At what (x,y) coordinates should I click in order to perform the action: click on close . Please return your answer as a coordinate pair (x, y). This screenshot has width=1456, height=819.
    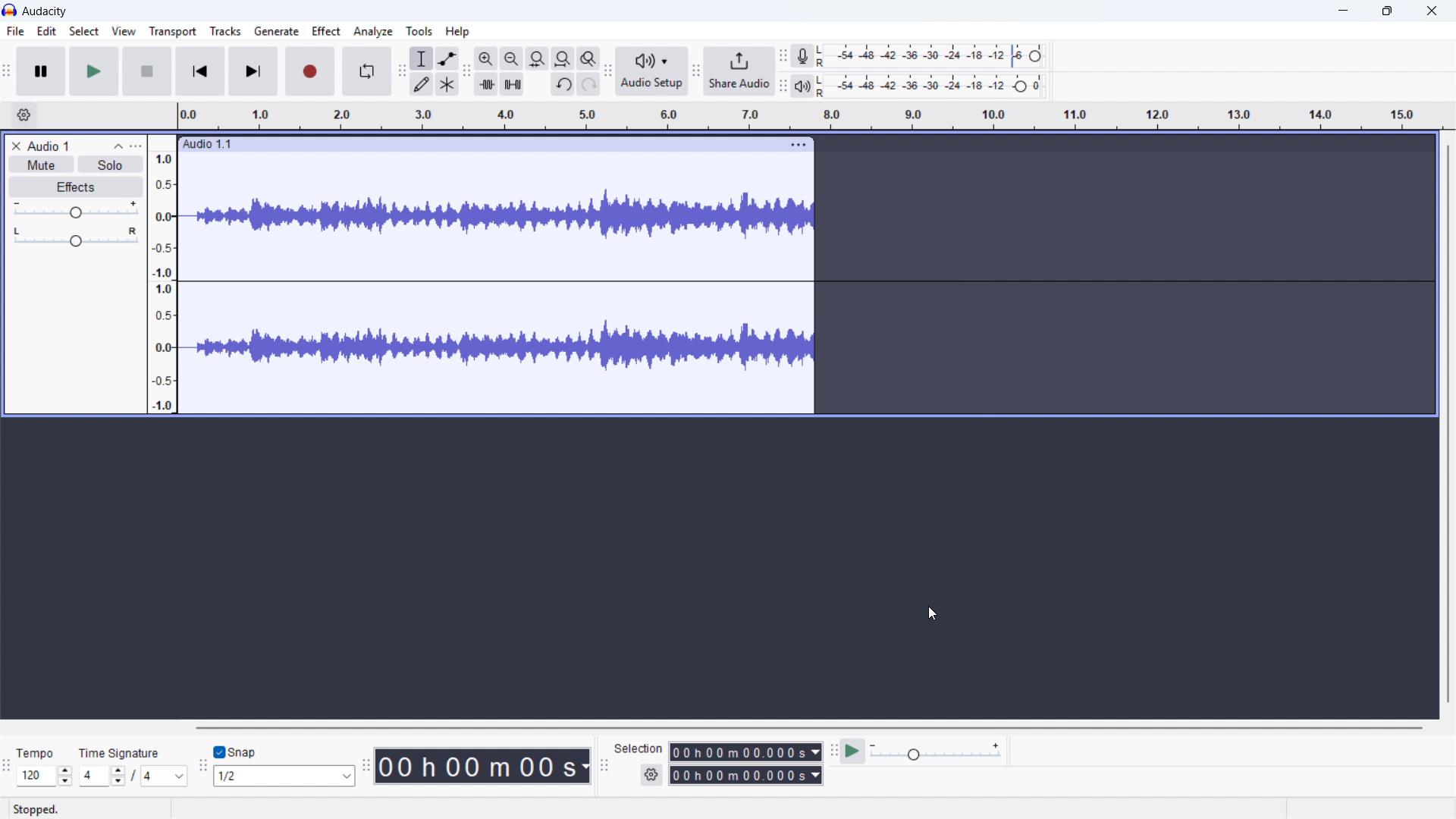
    Looking at the image, I should click on (1432, 11).